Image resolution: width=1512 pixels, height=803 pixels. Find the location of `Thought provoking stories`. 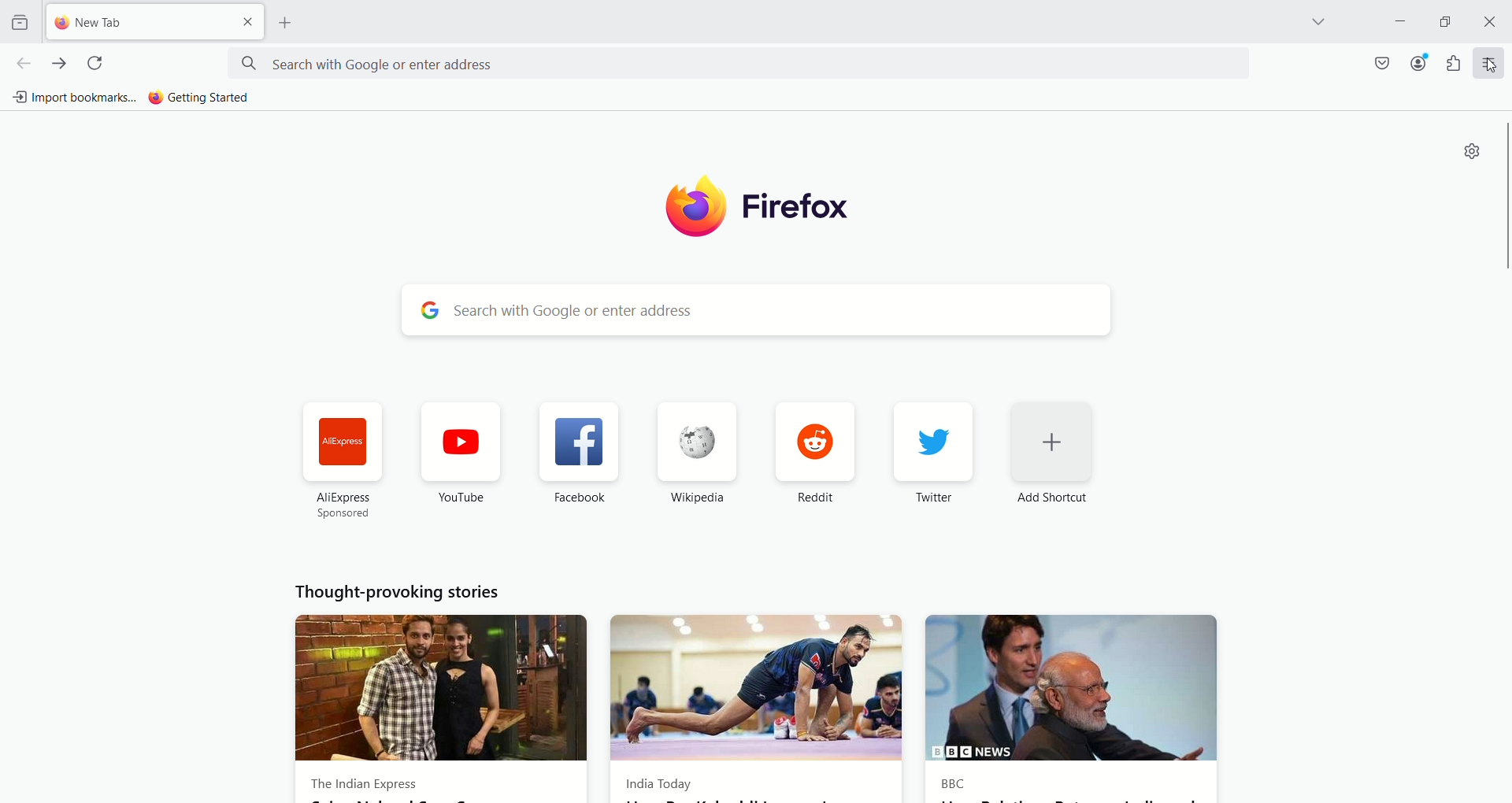

Thought provoking stories is located at coordinates (401, 594).